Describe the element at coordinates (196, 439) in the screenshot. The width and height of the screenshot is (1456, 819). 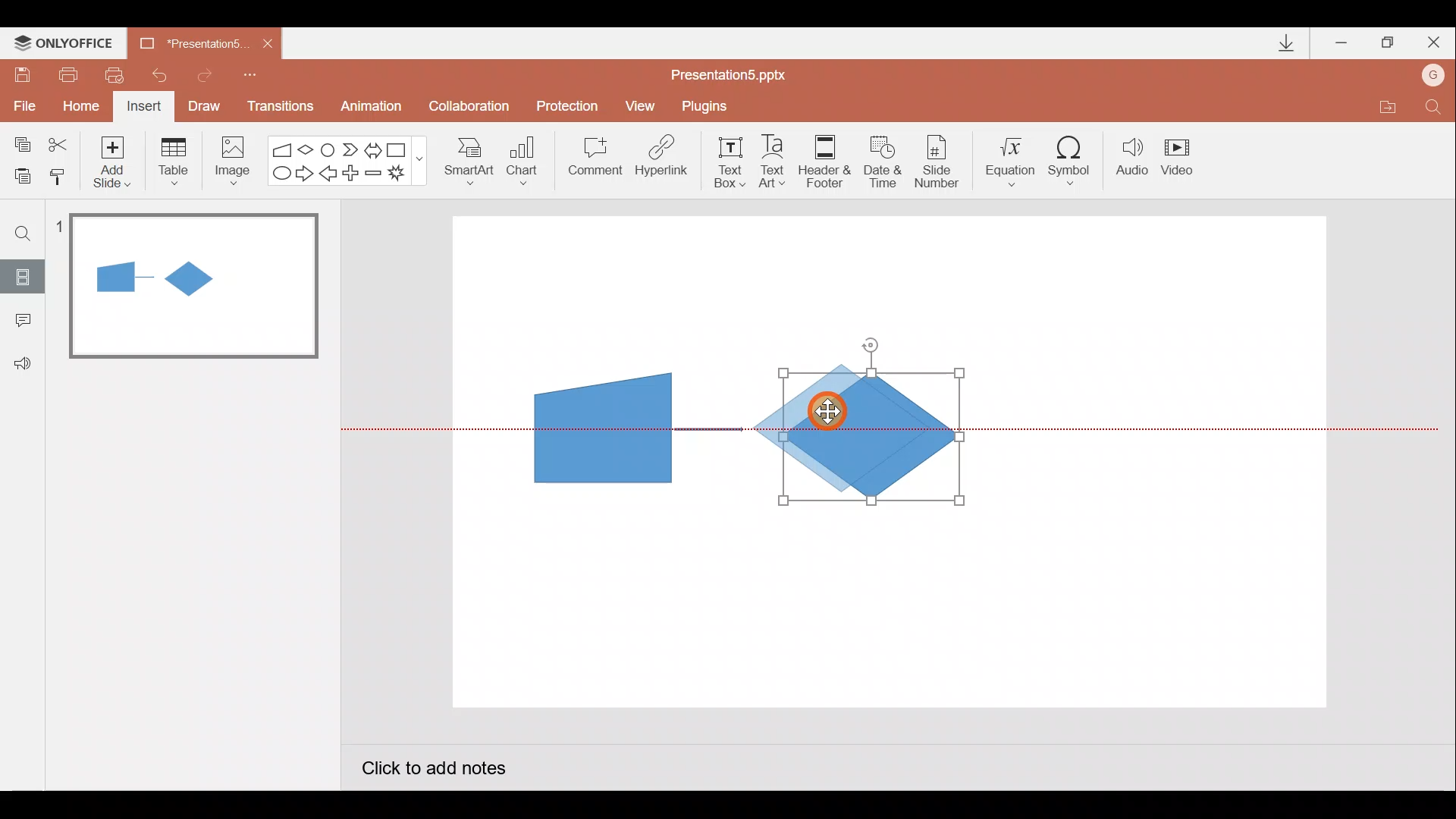
I see `Slide pane` at that location.